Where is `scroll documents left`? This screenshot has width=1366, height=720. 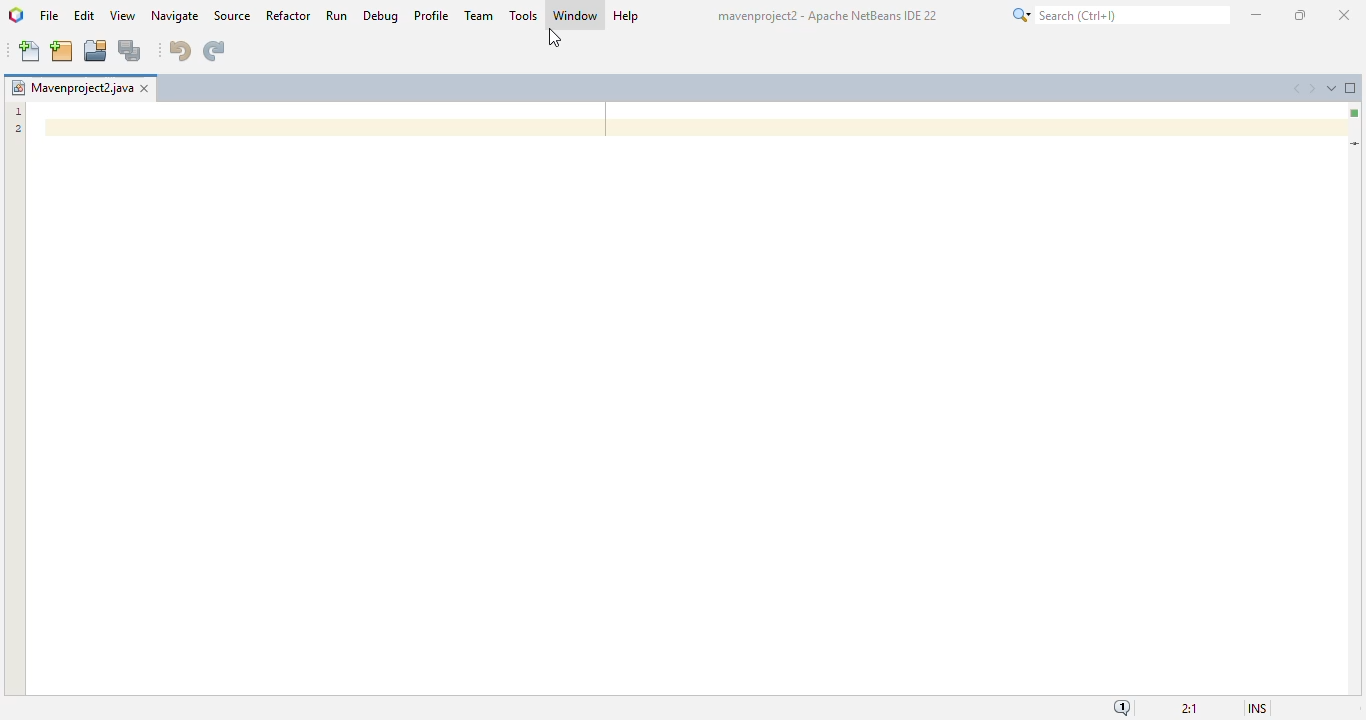
scroll documents left is located at coordinates (1298, 89).